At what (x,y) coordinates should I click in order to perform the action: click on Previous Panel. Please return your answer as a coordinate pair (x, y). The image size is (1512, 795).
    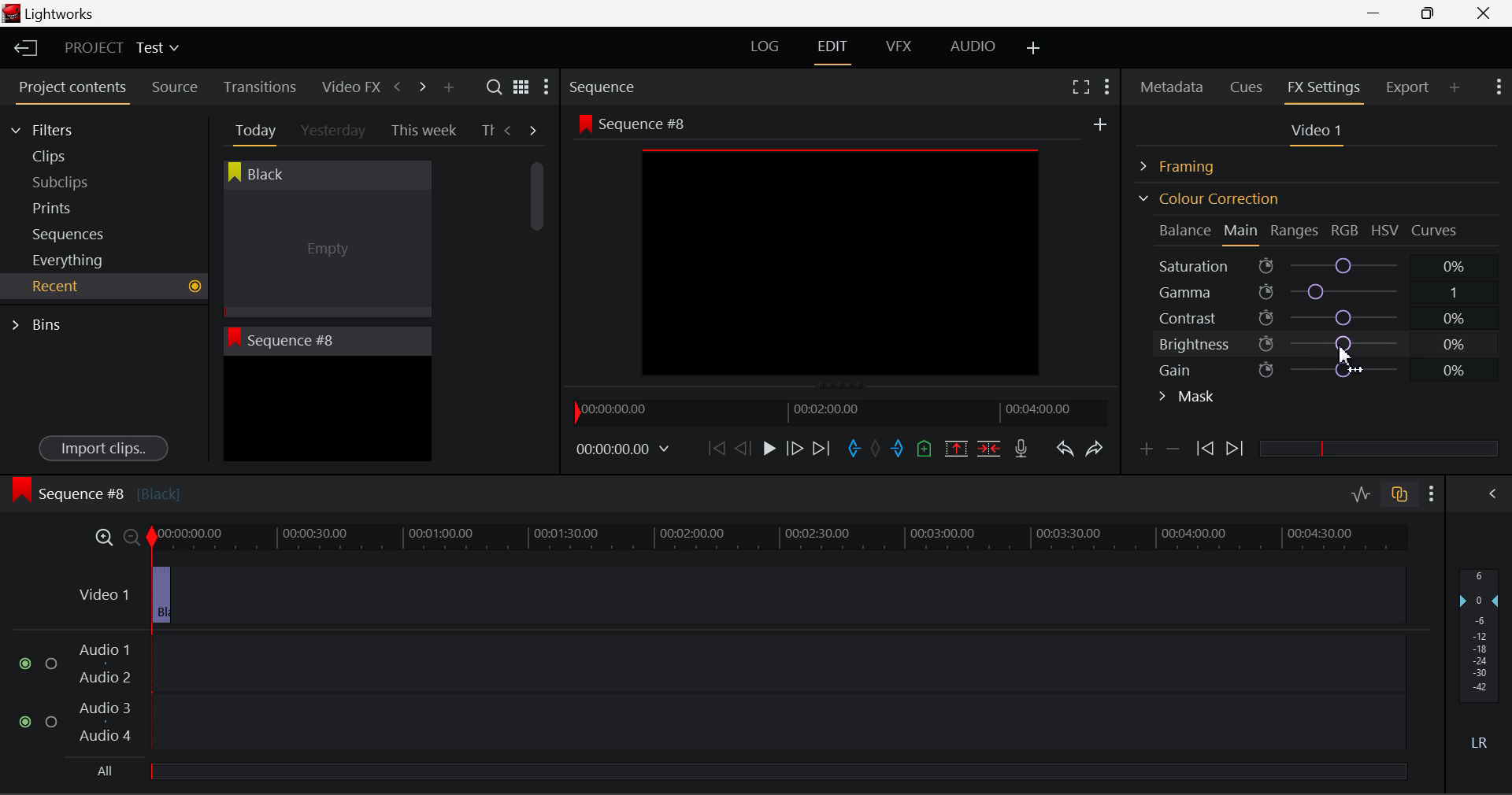
    Looking at the image, I should click on (397, 87).